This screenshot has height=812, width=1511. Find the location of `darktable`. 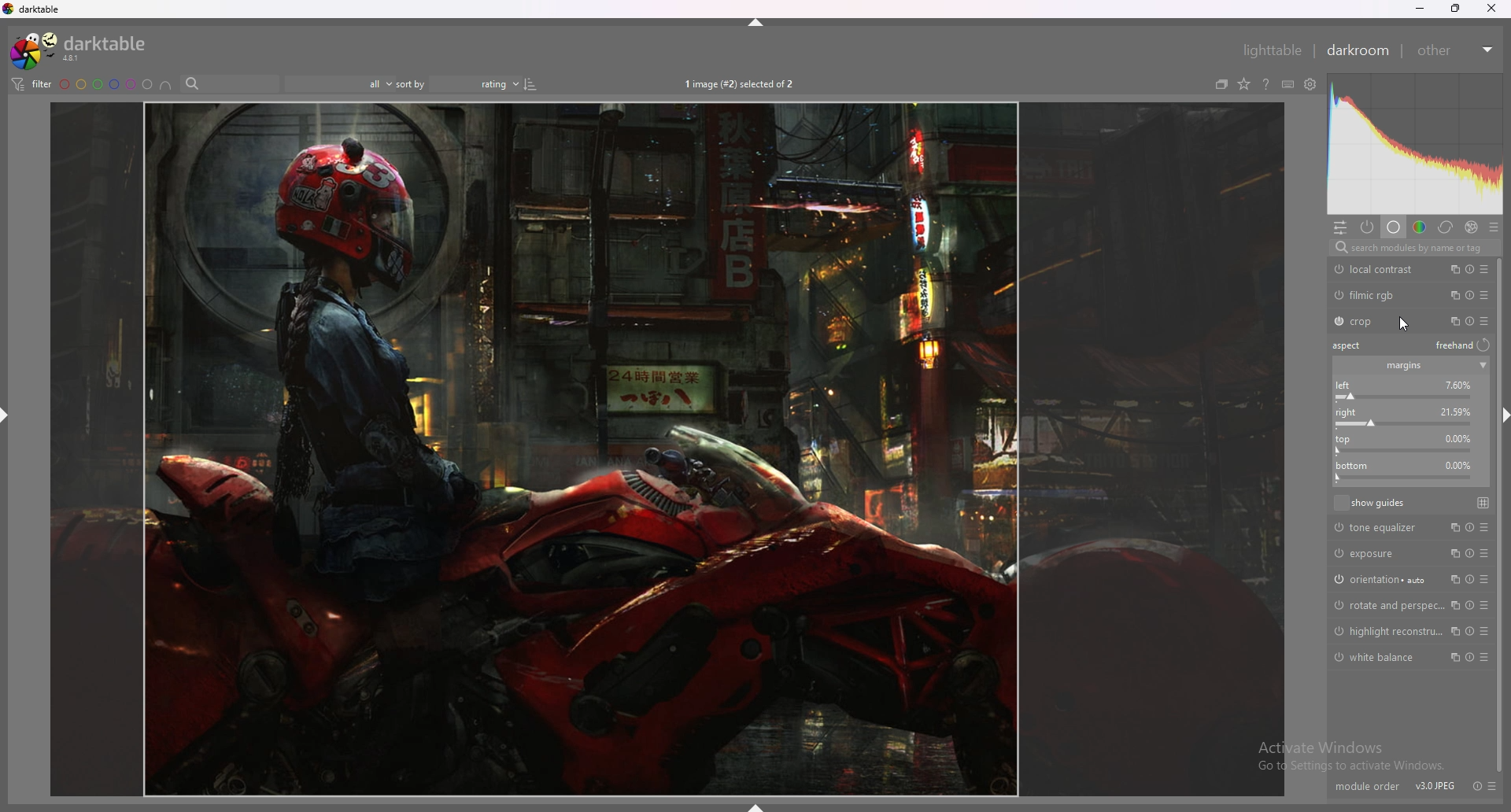

darktable is located at coordinates (82, 50).